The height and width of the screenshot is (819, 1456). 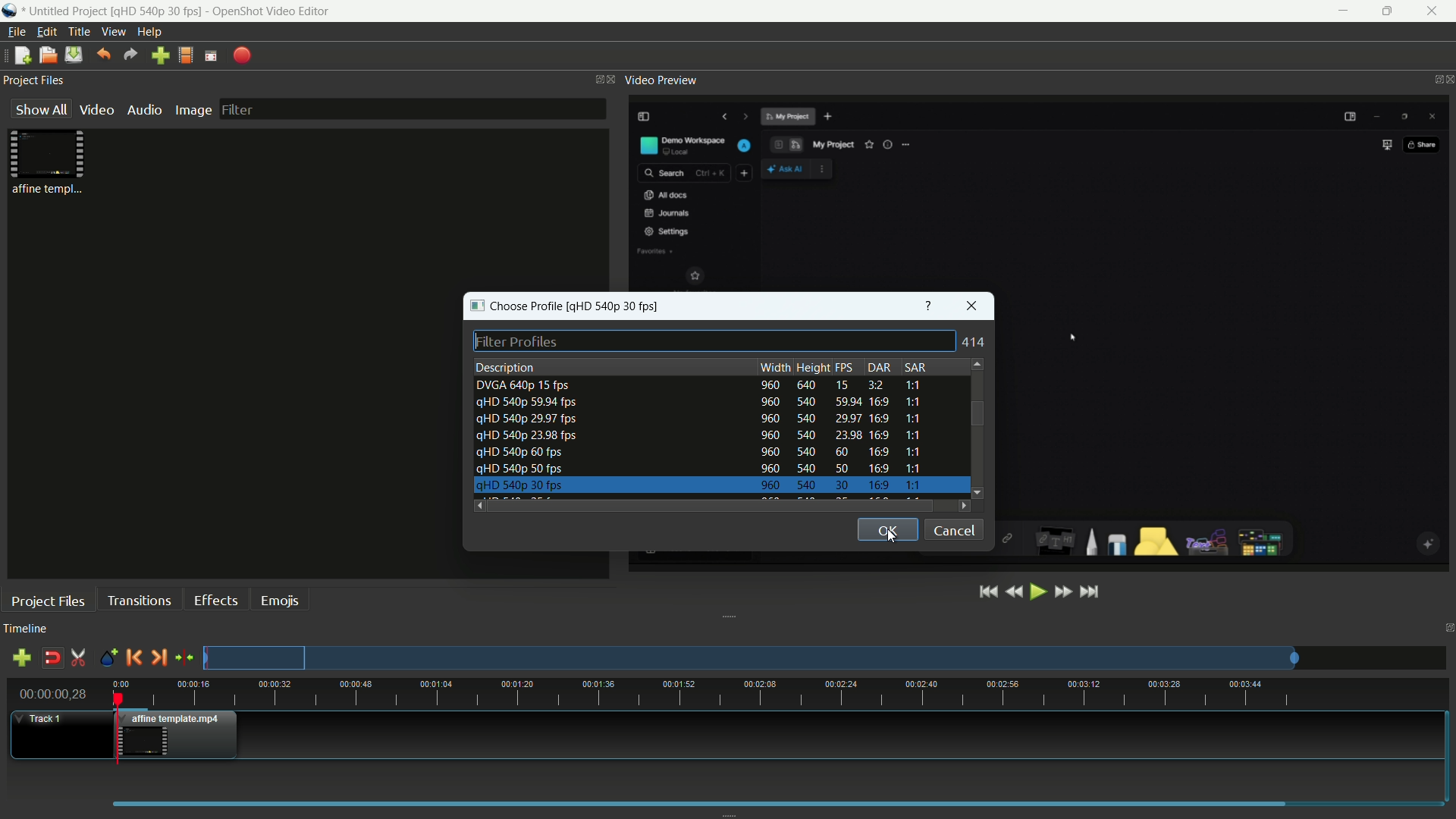 What do you see at coordinates (24, 657) in the screenshot?
I see `add track` at bounding box center [24, 657].